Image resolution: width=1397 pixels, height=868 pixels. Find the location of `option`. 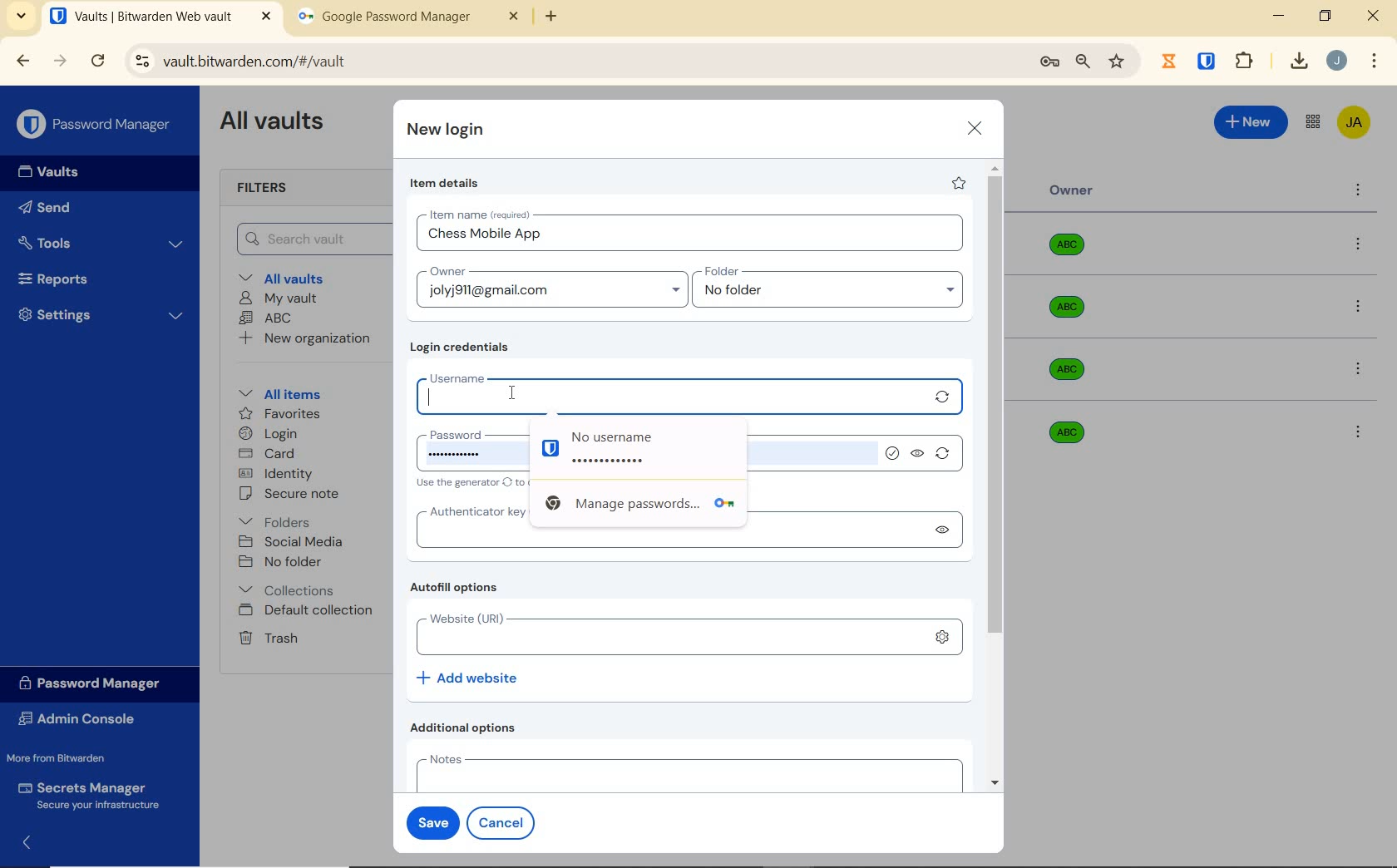

option is located at coordinates (1361, 371).